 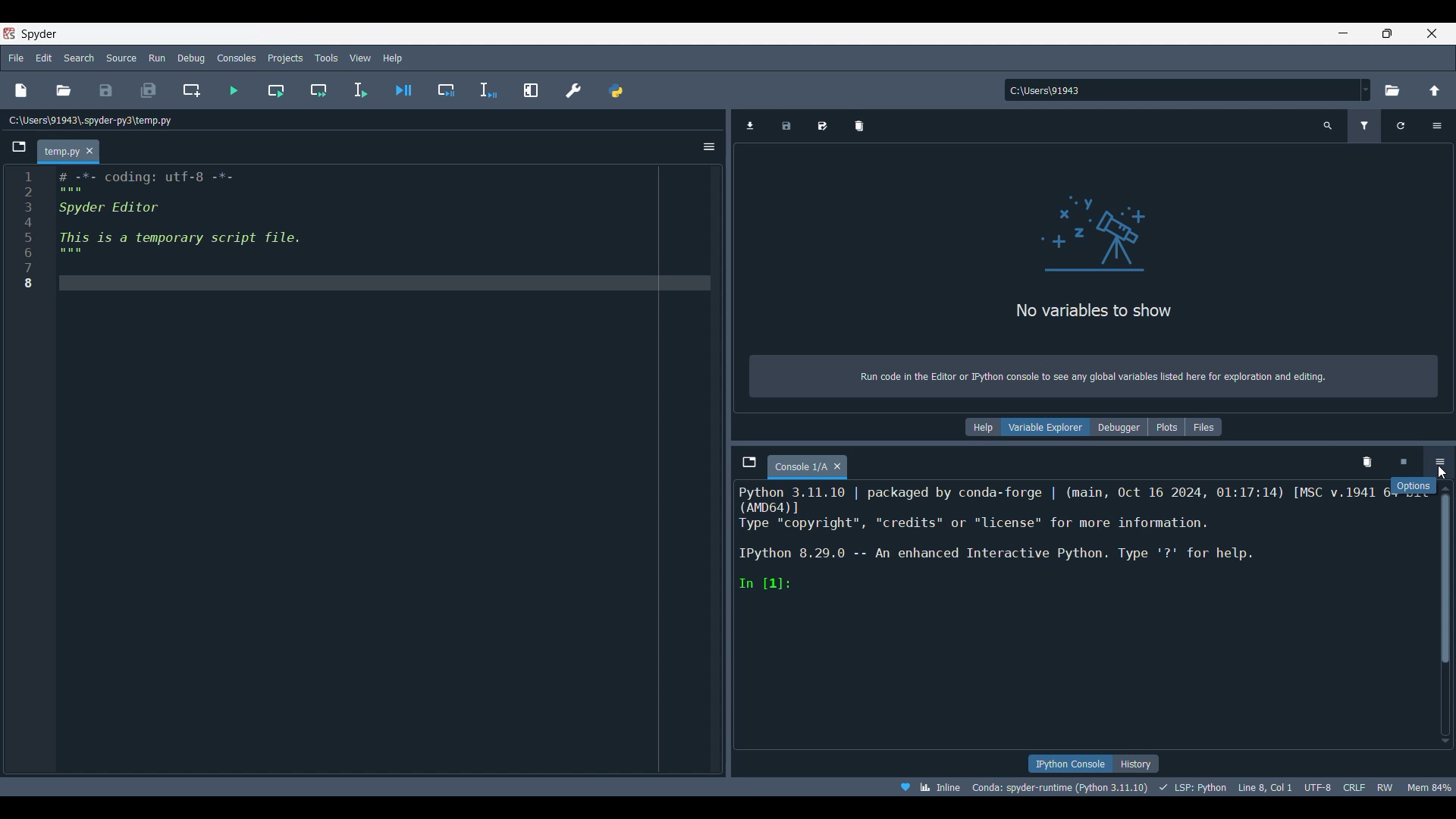 What do you see at coordinates (1388, 33) in the screenshot?
I see `Show interface in a smaller tab` at bounding box center [1388, 33].